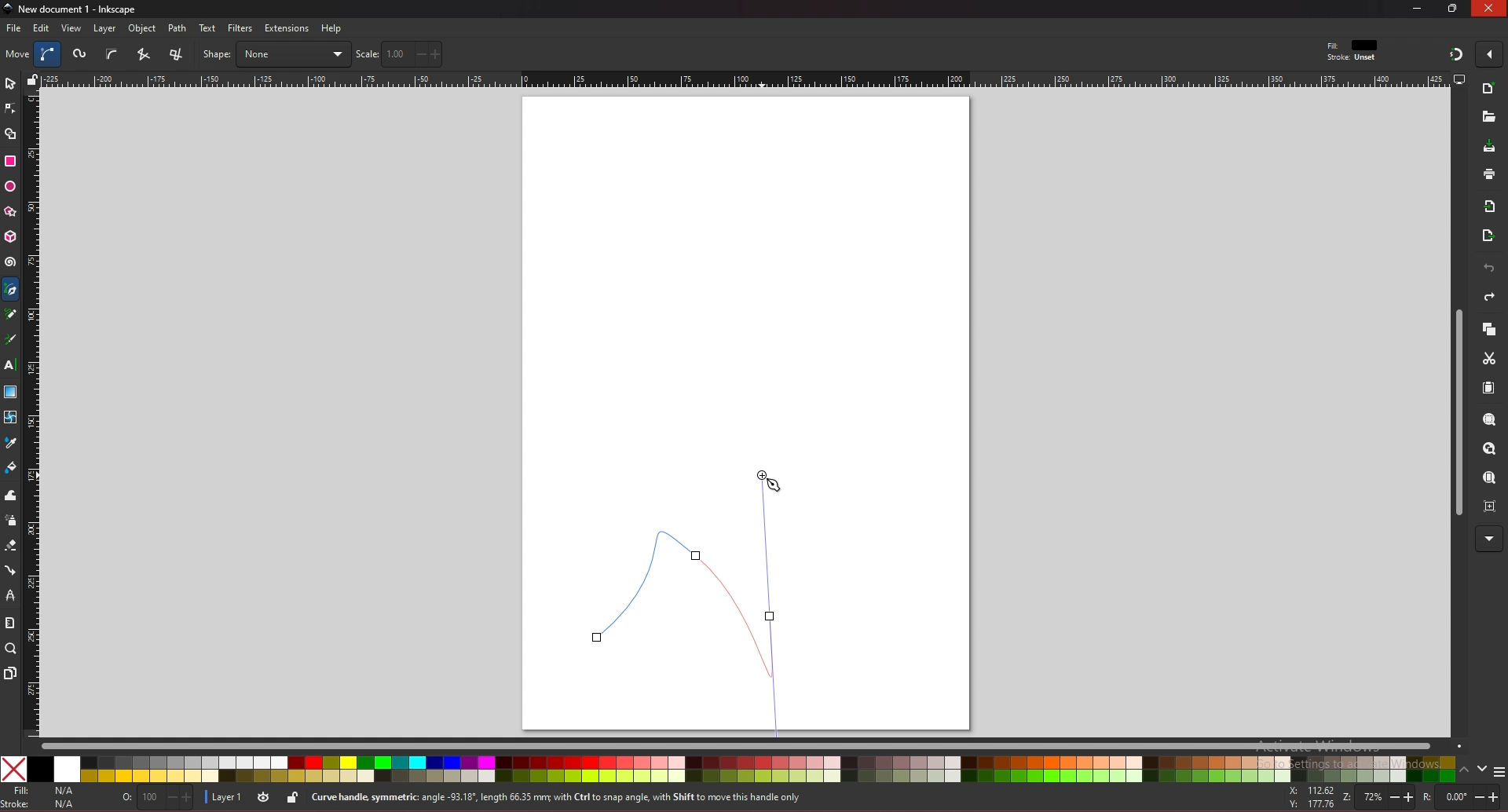  Describe the element at coordinates (265, 797) in the screenshot. I see `toggle visibility` at that location.